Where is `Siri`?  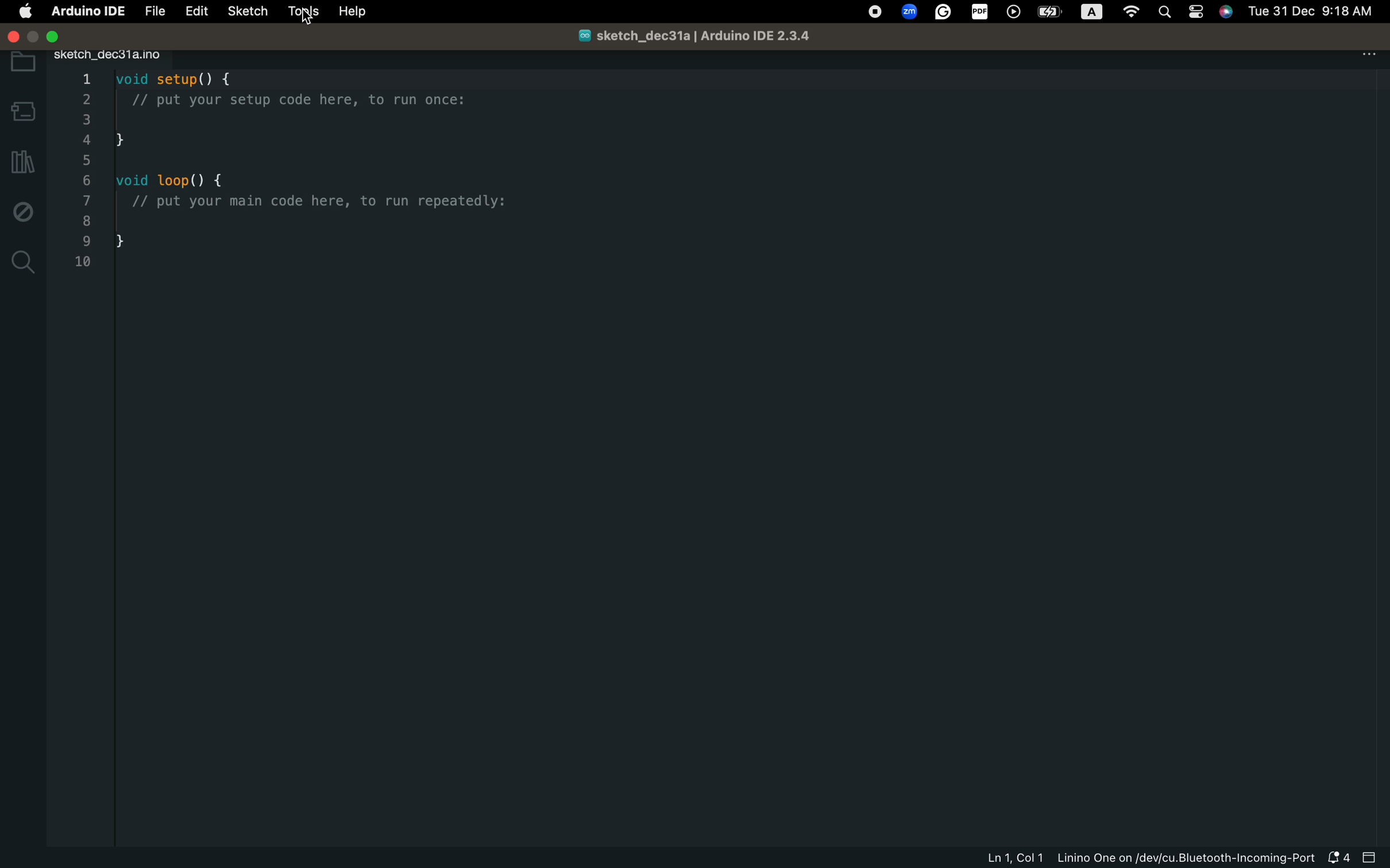
Siri is located at coordinates (1227, 11).